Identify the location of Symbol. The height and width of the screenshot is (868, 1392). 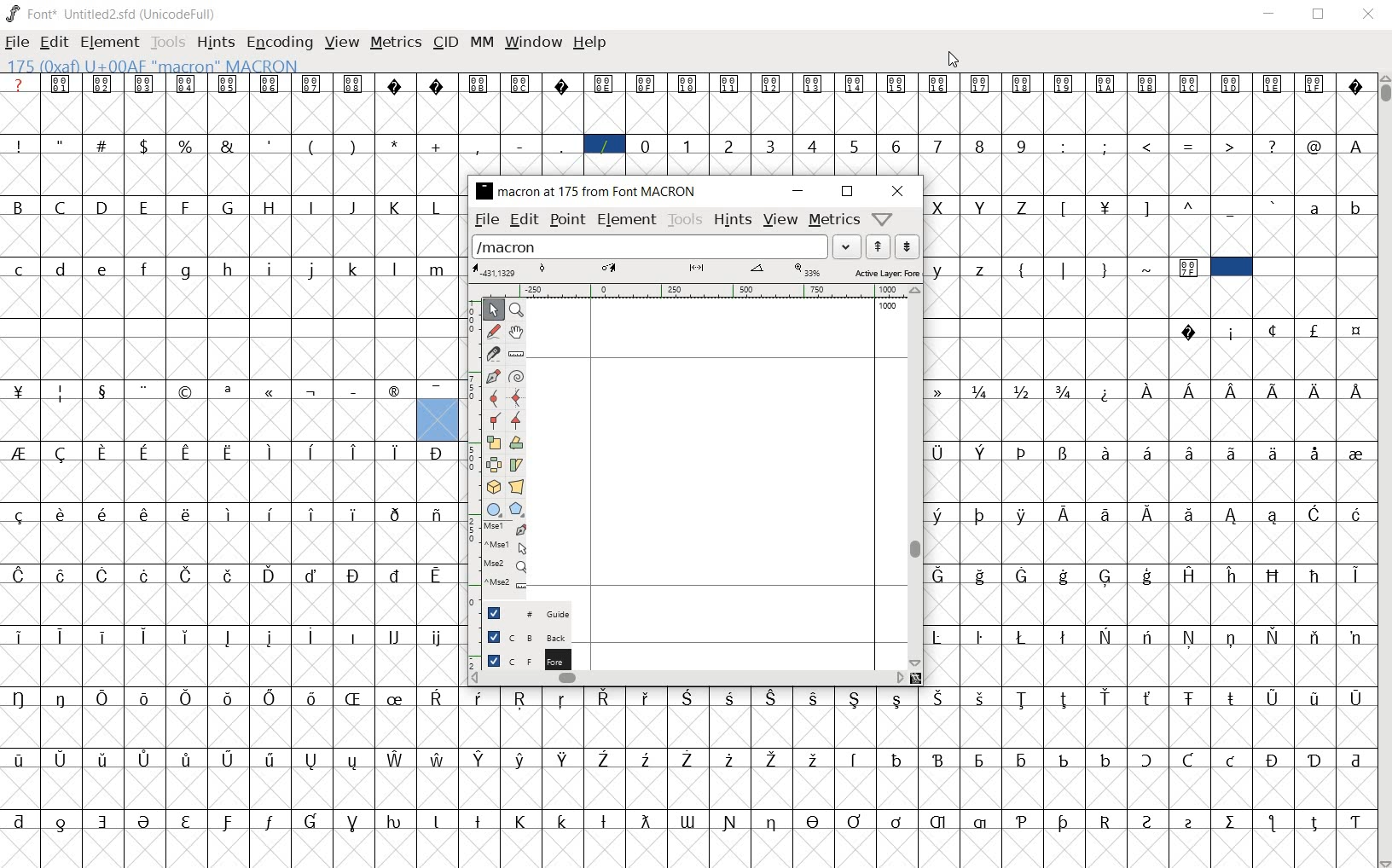
(731, 823).